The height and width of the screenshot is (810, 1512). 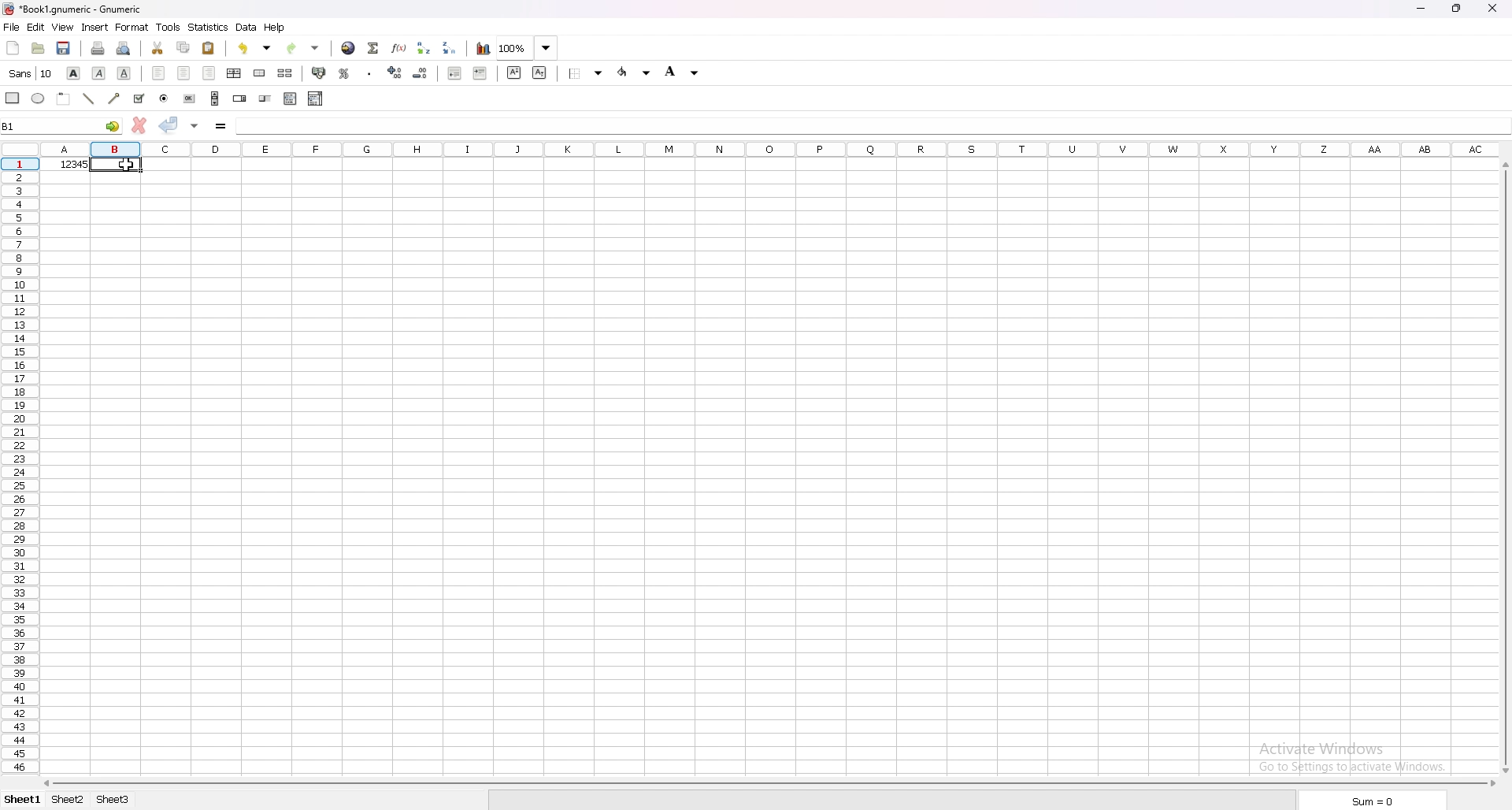 I want to click on scroll bar, so click(x=766, y=785).